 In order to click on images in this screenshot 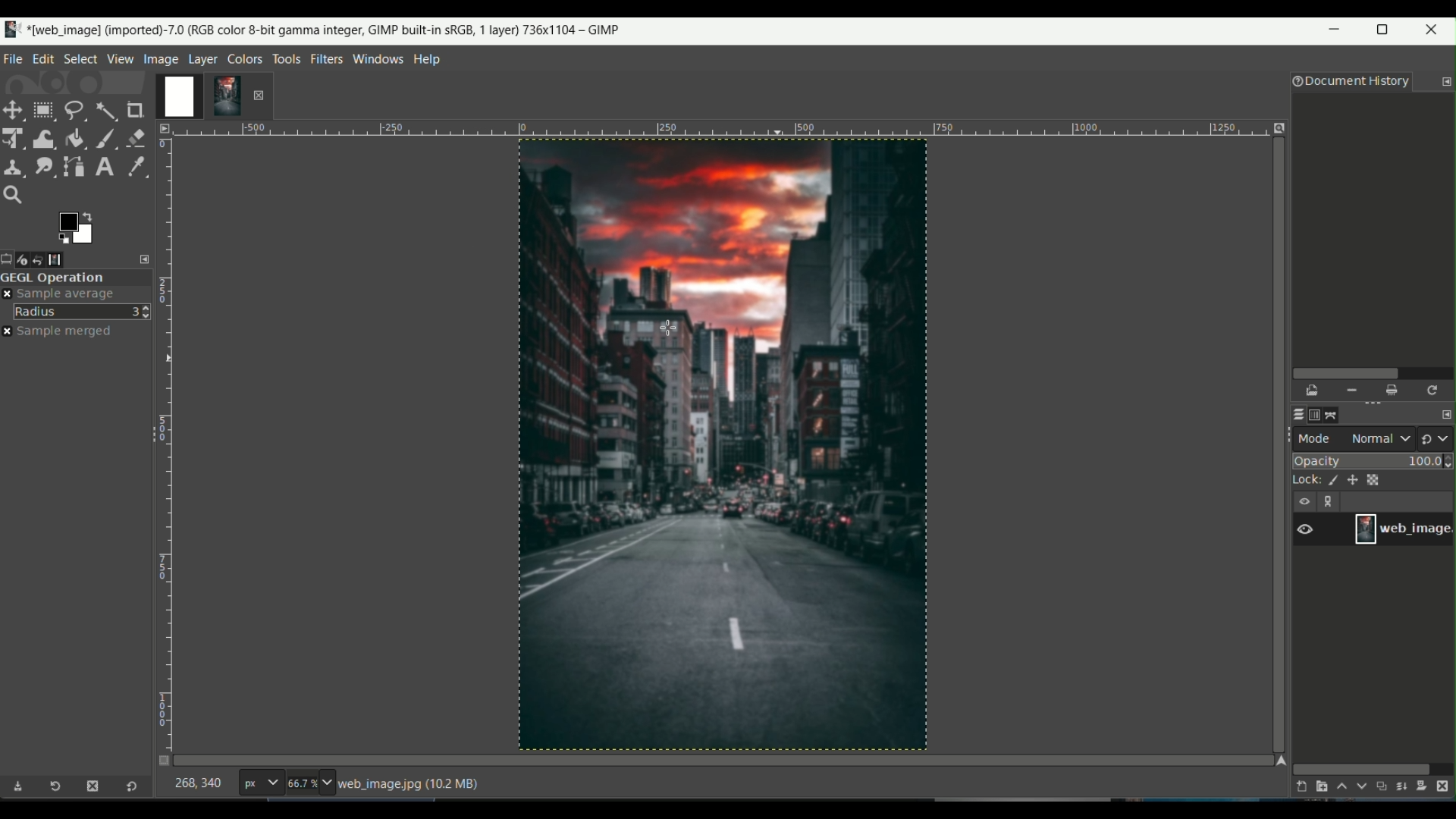, I will do `click(66, 259)`.